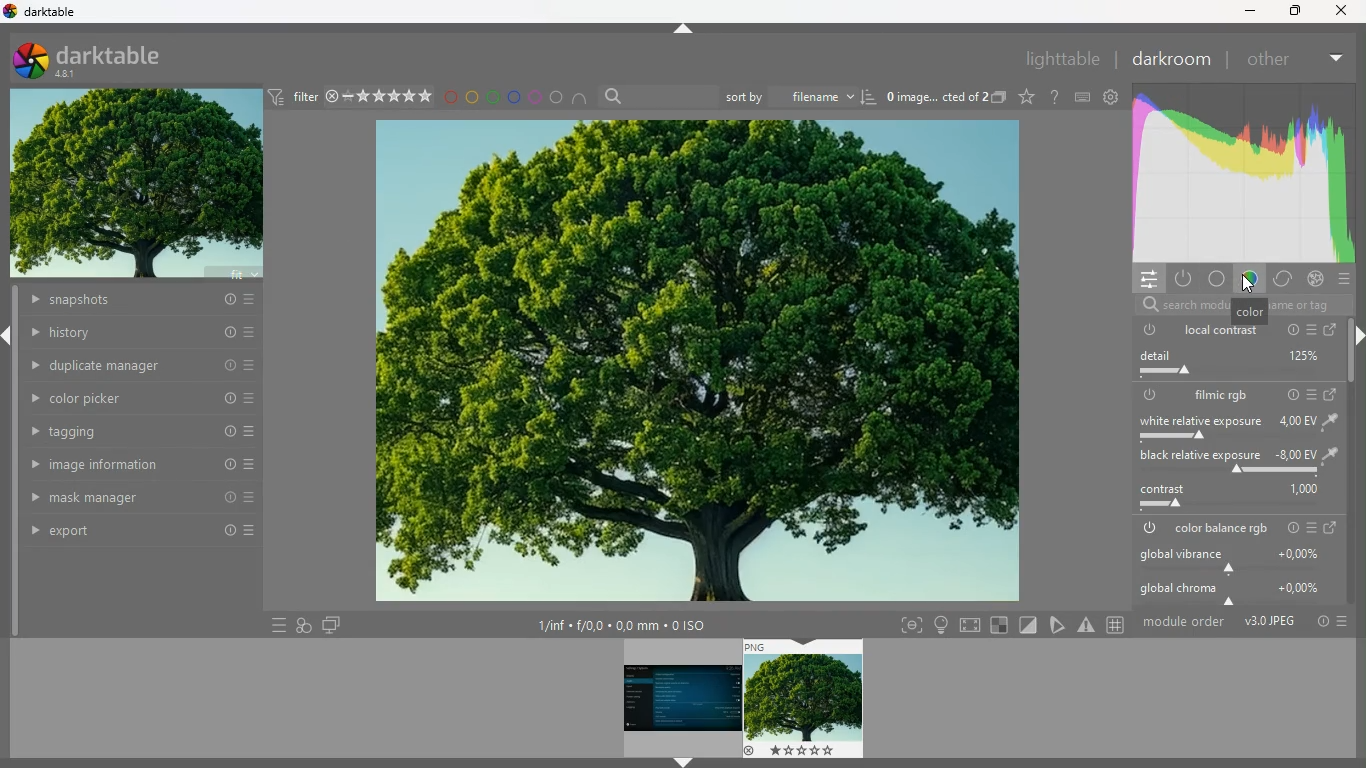 This screenshot has height=768, width=1366. Describe the element at coordinates (1217, 280) in the screenshot. I see `circle` at that location.